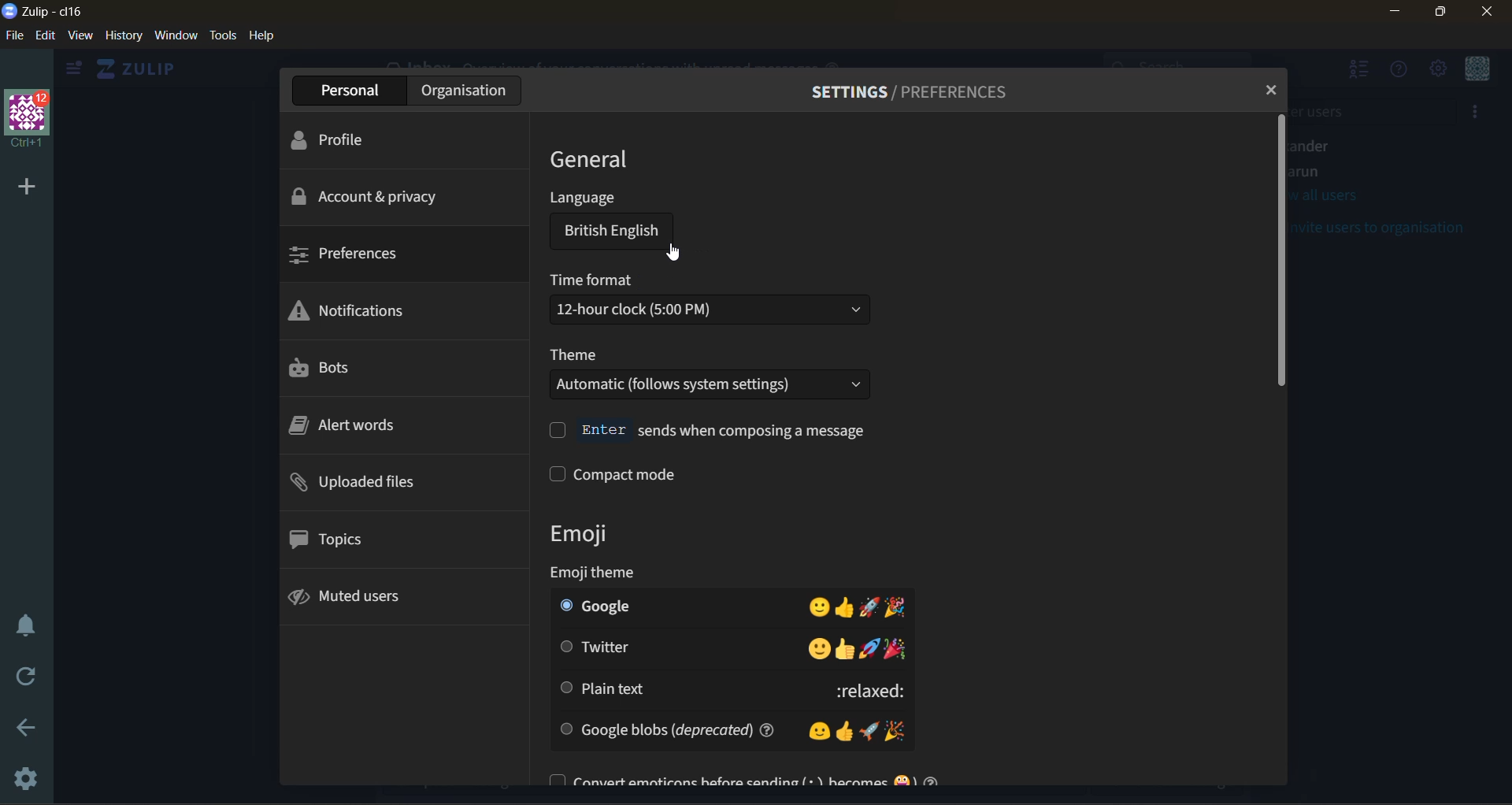 The image size is (1512, 805). I want to click on help menu, so click(1403, 76).